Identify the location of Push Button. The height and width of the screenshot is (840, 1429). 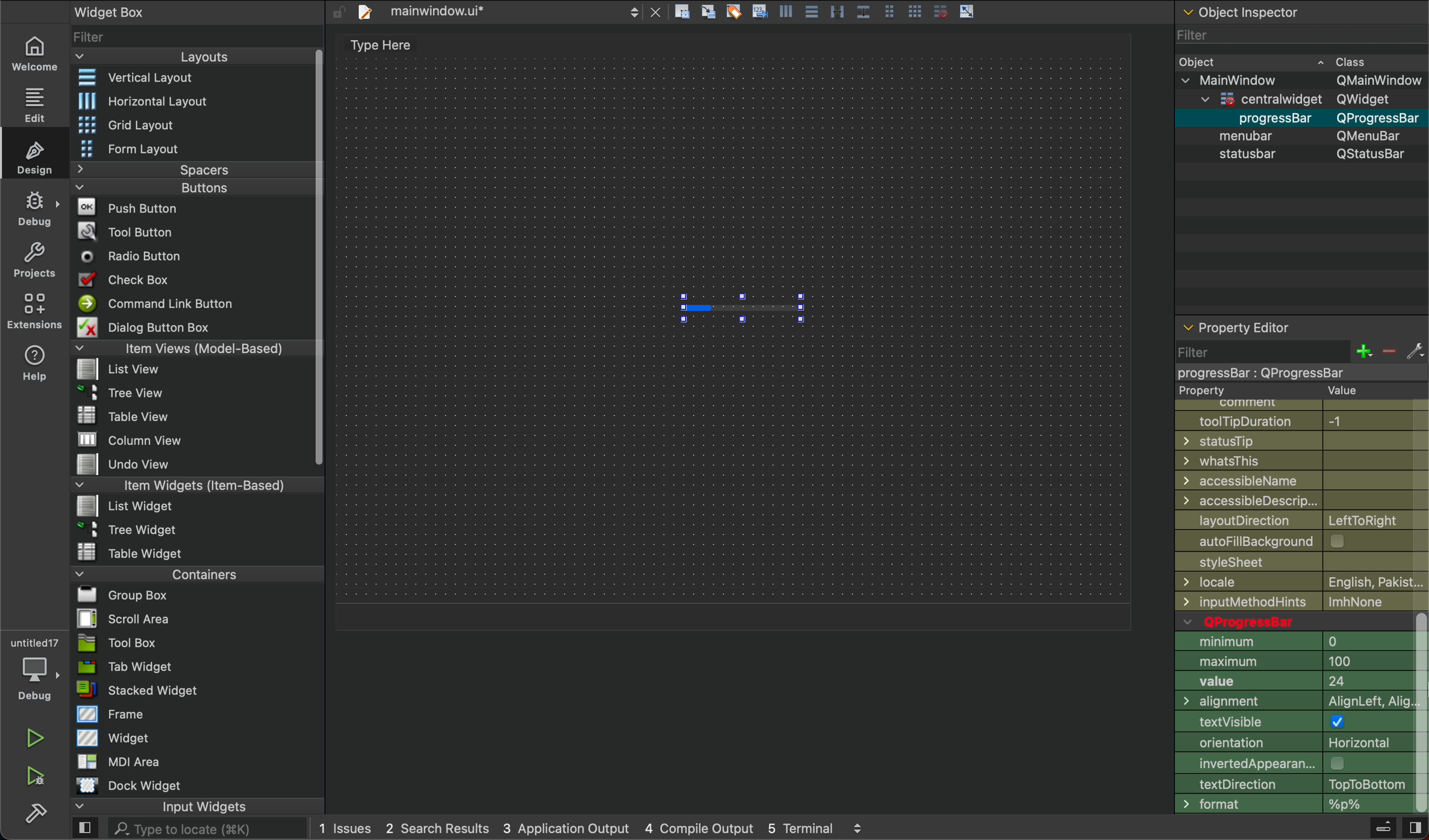
(132, 206).